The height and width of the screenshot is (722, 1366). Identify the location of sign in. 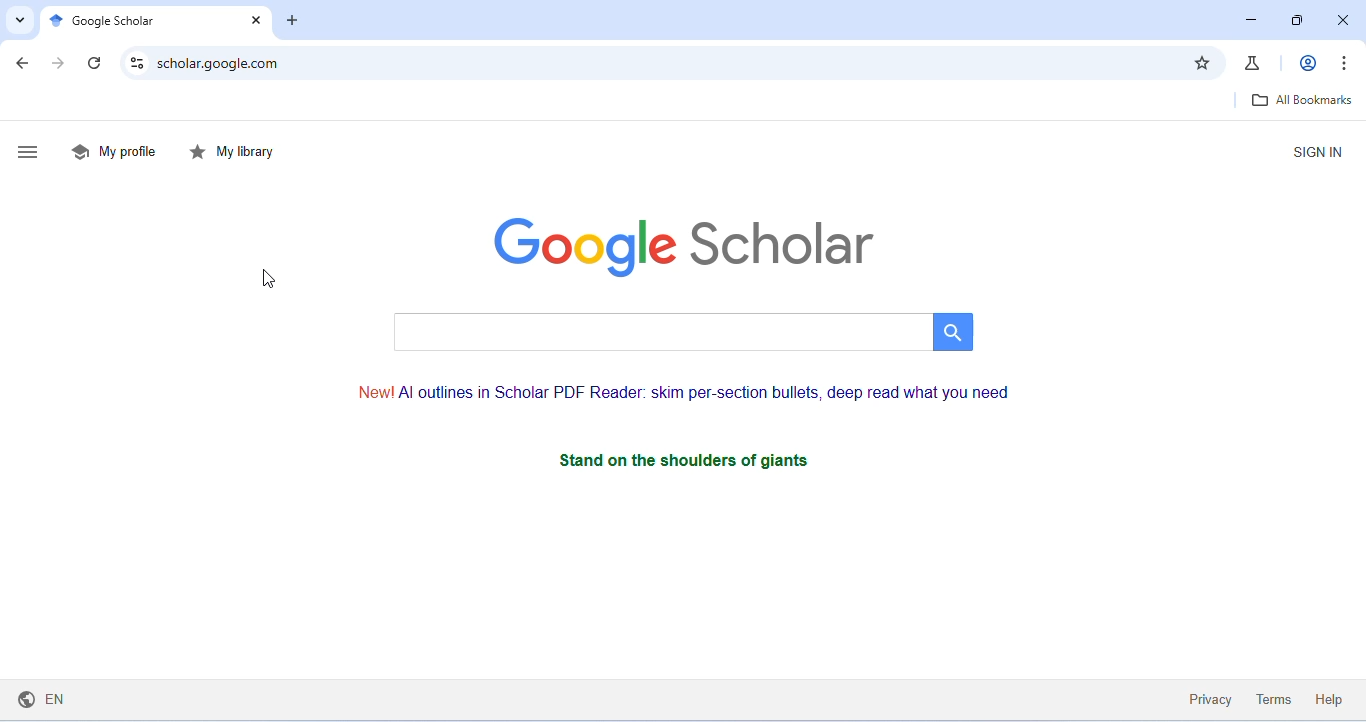
(1311, 151).